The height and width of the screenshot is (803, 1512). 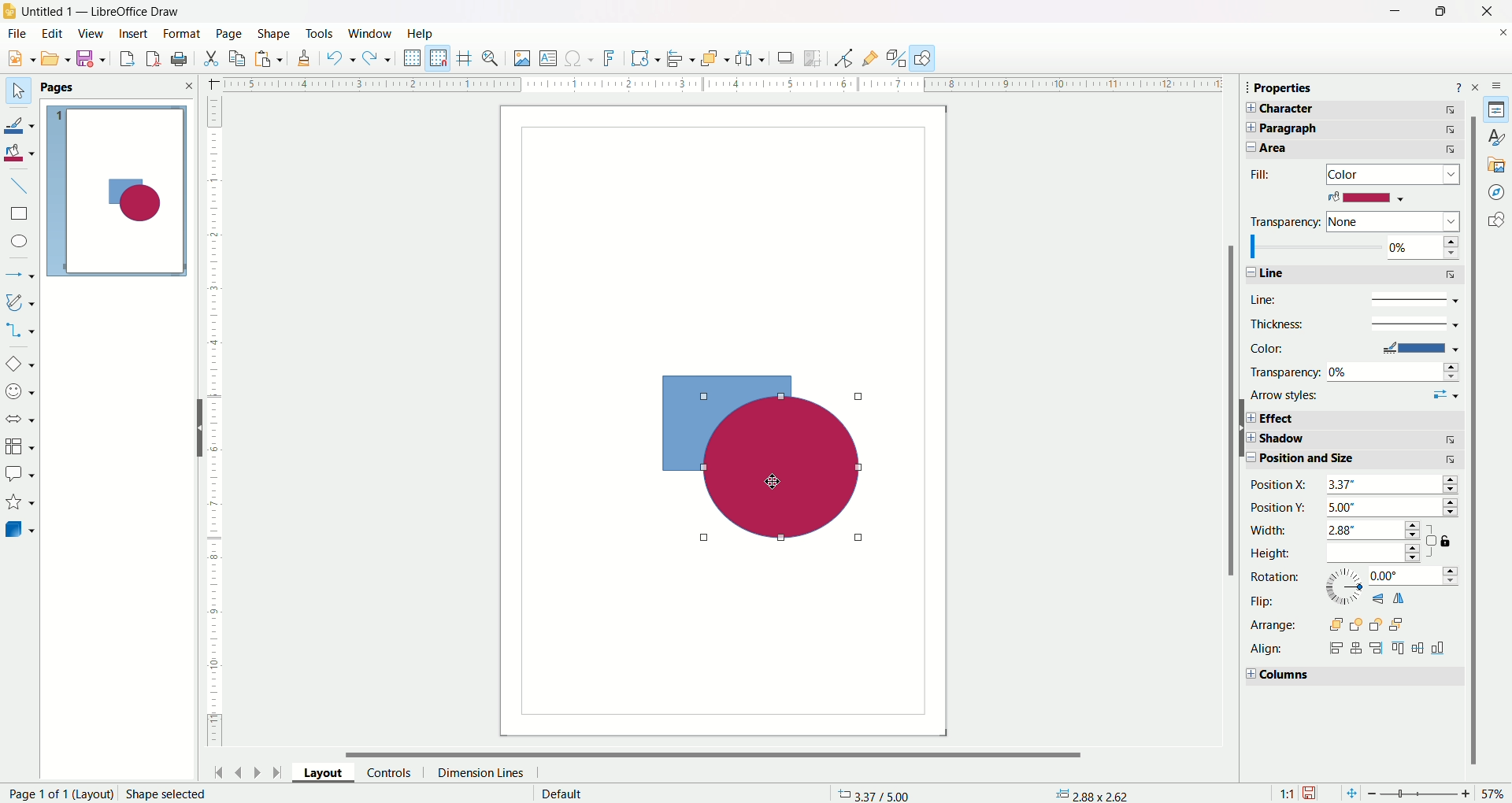 What do you see at coordinates (868, 57) in the screenshot?
I see `gluepoint` at bounding box center [868, 57].